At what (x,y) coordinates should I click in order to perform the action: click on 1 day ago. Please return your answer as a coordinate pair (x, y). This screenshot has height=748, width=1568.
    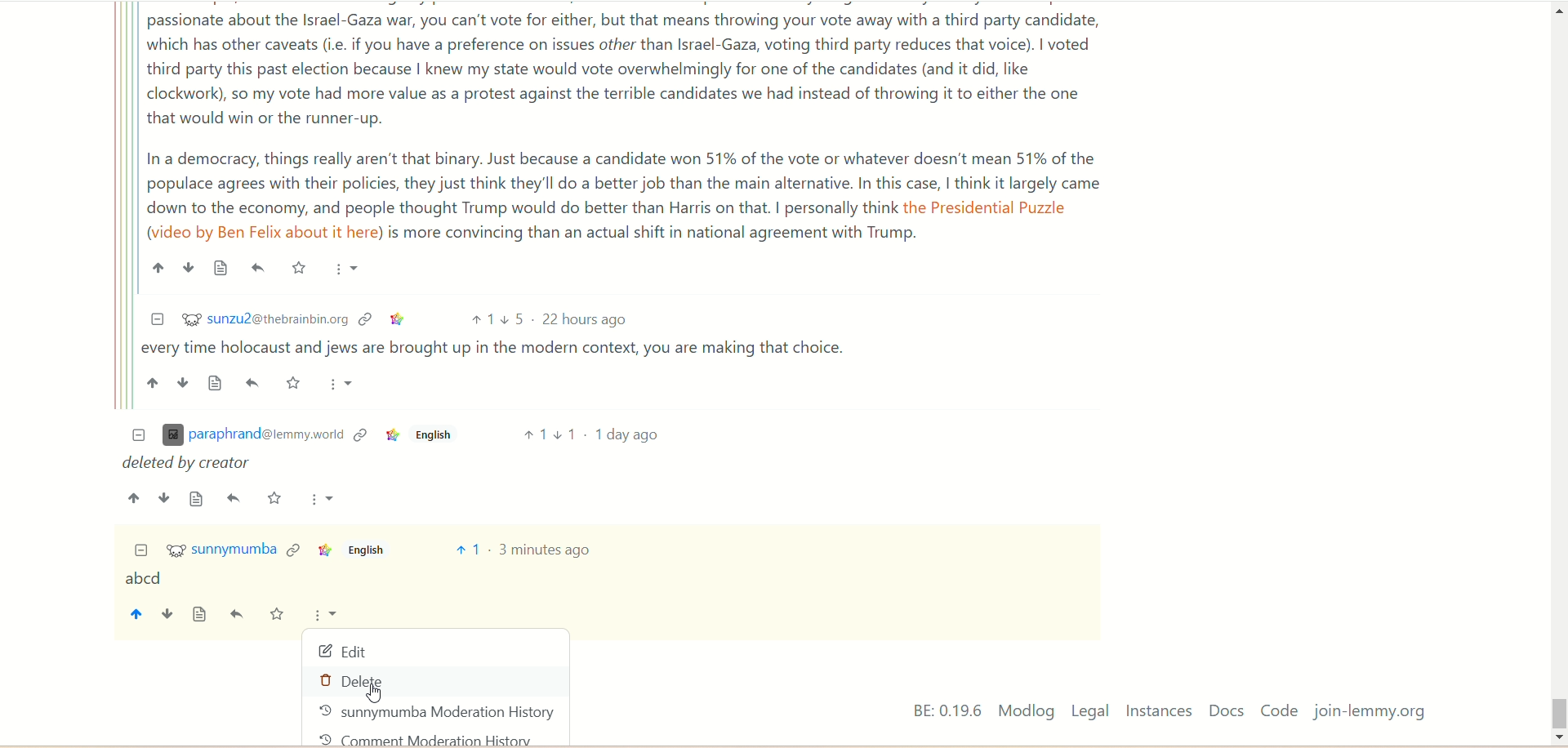
    Looking at the image, I should click on (627, 434).